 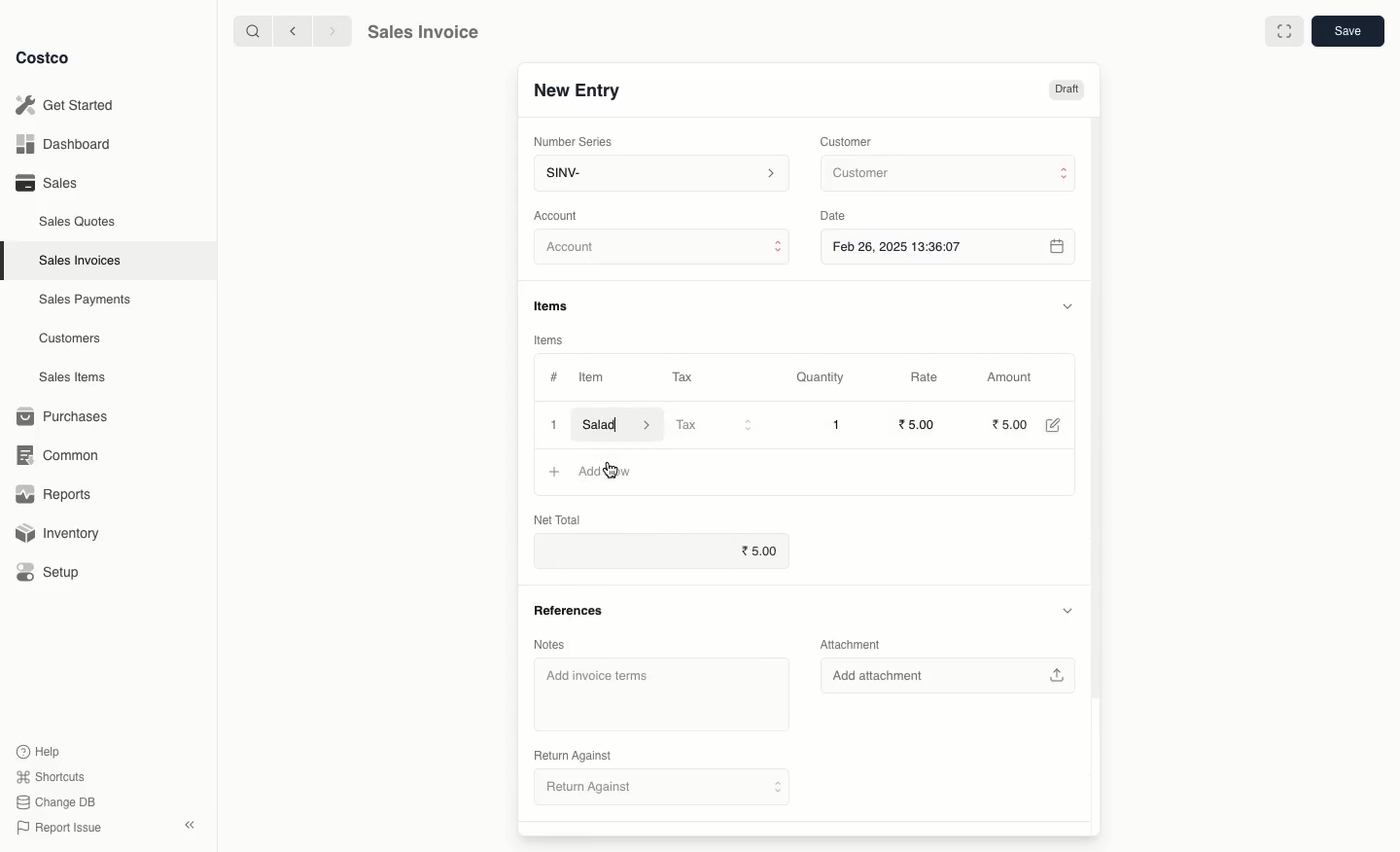 What do you see at coordinates (1015, 377) in the screenshot?
I see `Amount` at bounding box center [1015, 377].